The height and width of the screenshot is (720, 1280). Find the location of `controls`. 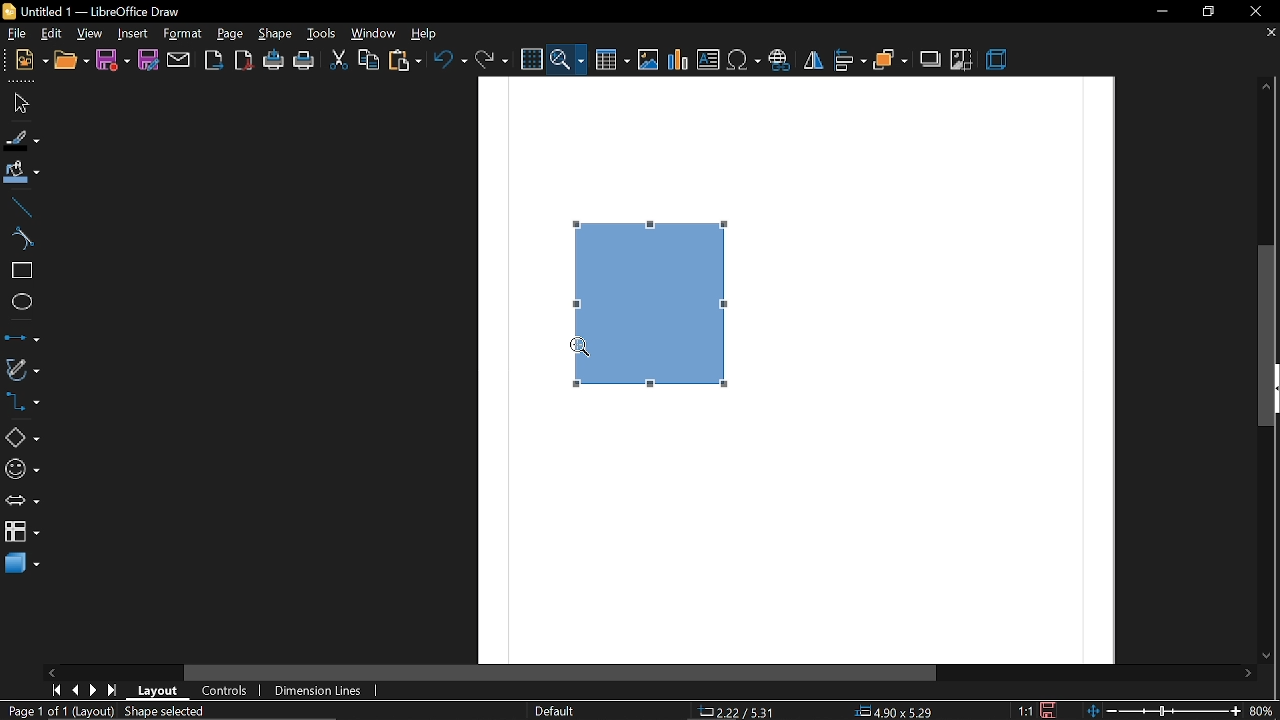

controls is located at coordinates (226, 691).